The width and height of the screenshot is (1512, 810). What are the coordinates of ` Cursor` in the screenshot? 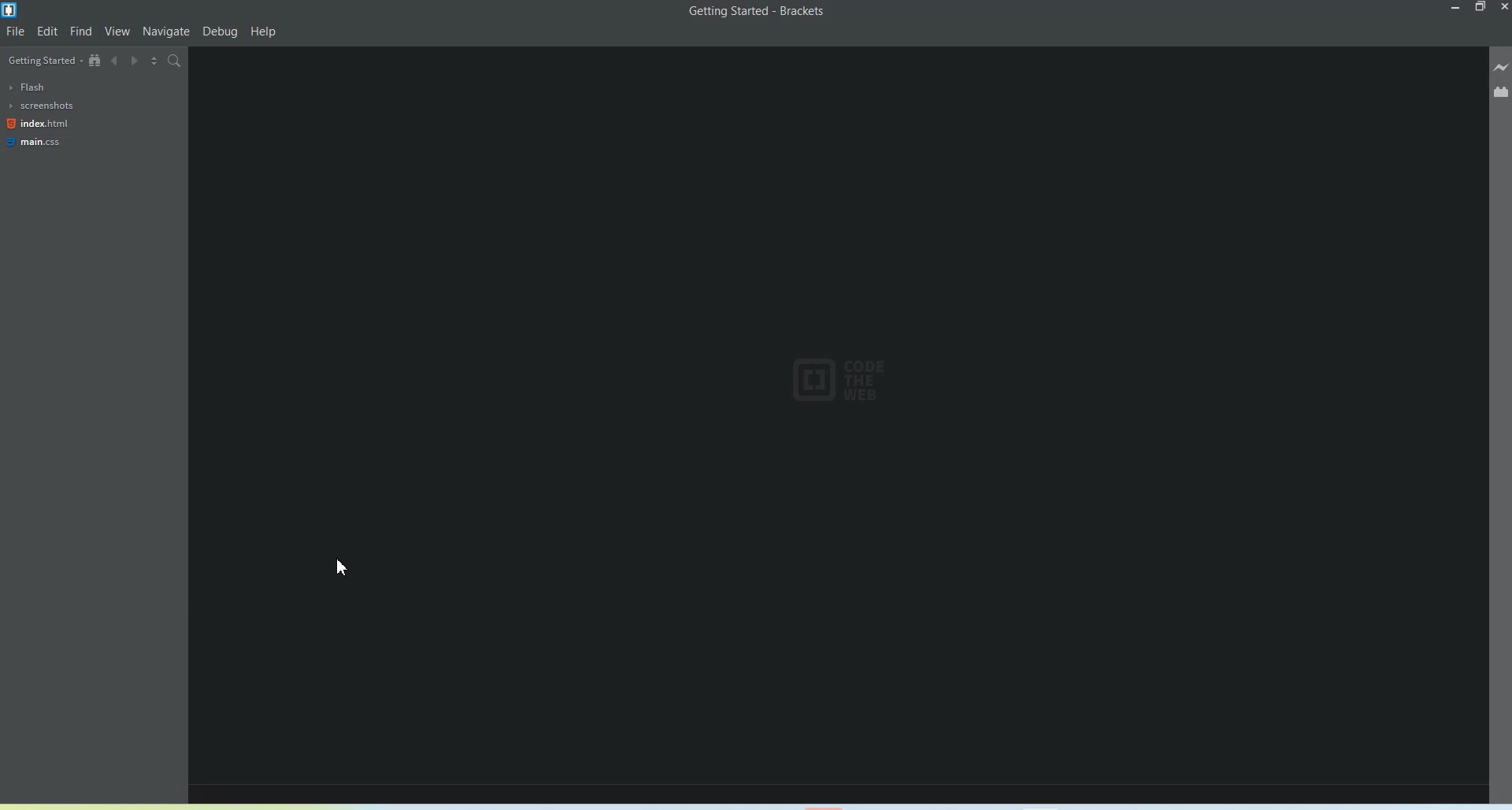 It's located at (345, 566).